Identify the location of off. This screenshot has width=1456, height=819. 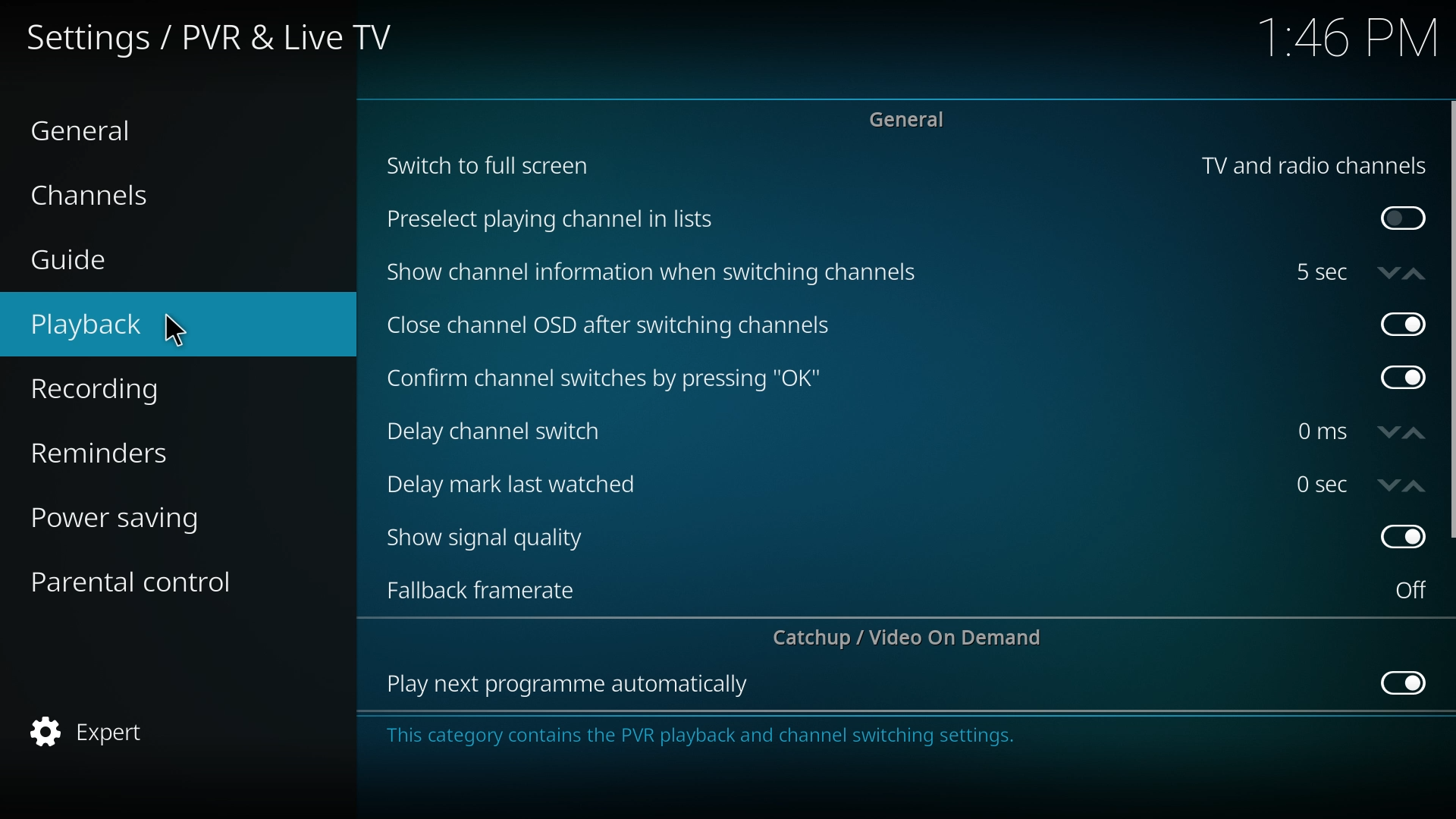
(1401, 538).